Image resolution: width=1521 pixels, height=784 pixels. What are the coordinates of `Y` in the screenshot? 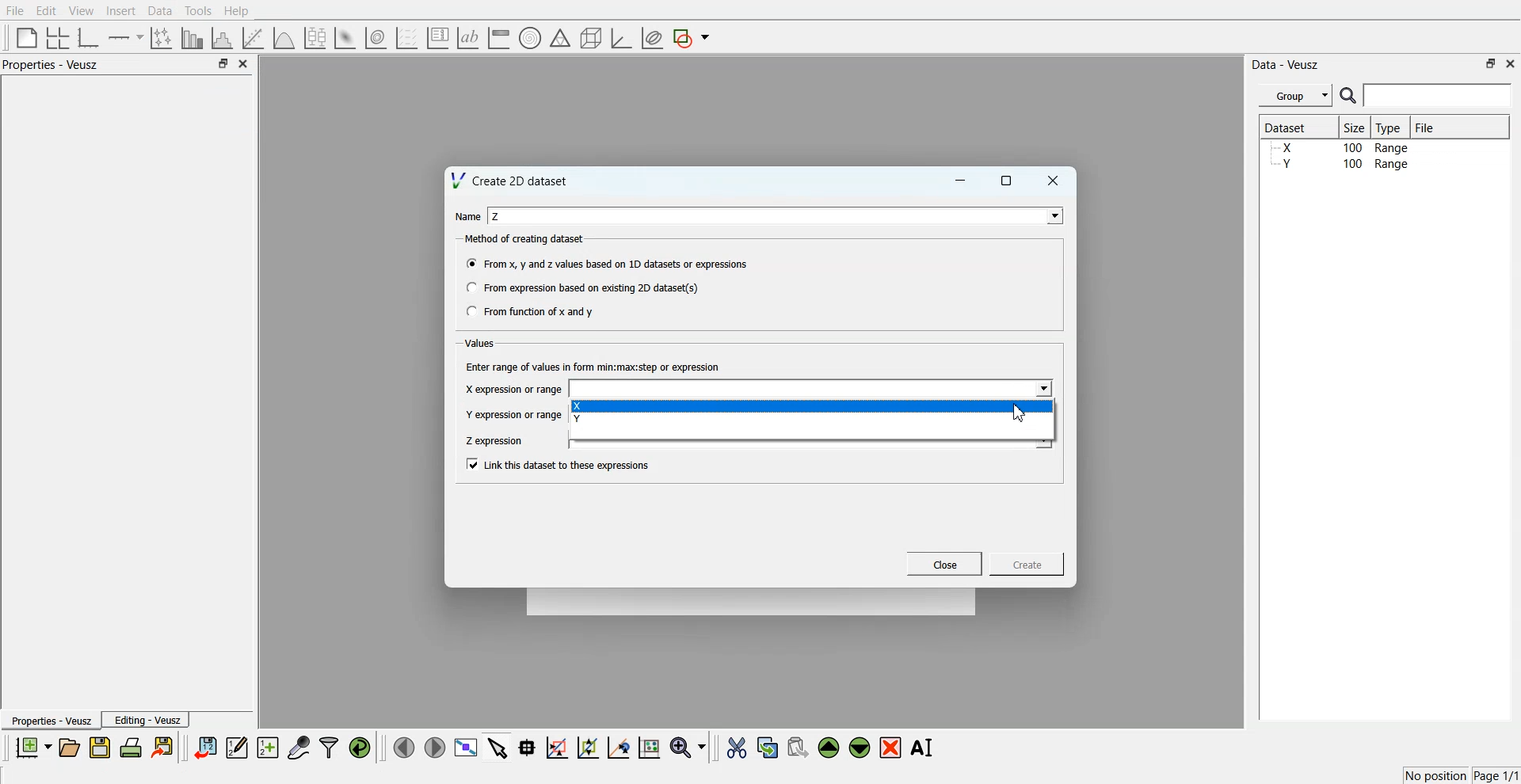 It's located at (813, 421).